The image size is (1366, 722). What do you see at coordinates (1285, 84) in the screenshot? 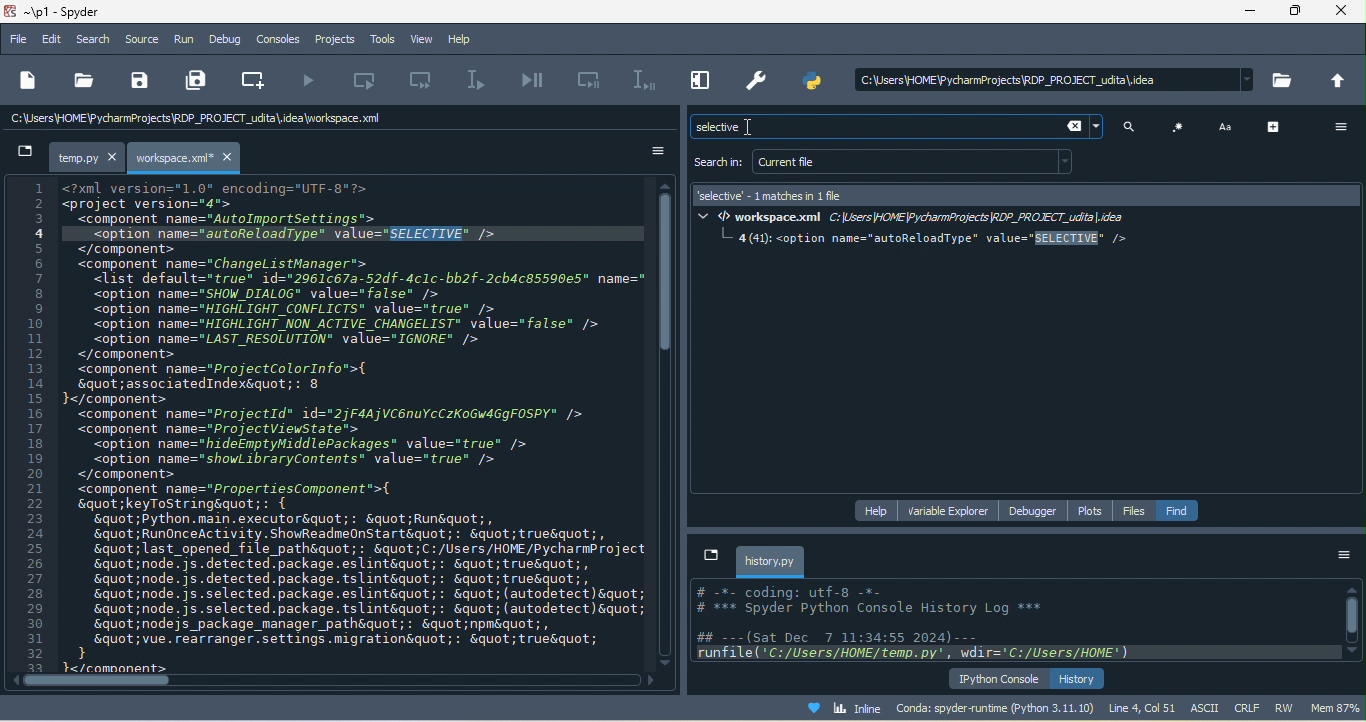
I see `browse` at bounding box center [1285, 84].